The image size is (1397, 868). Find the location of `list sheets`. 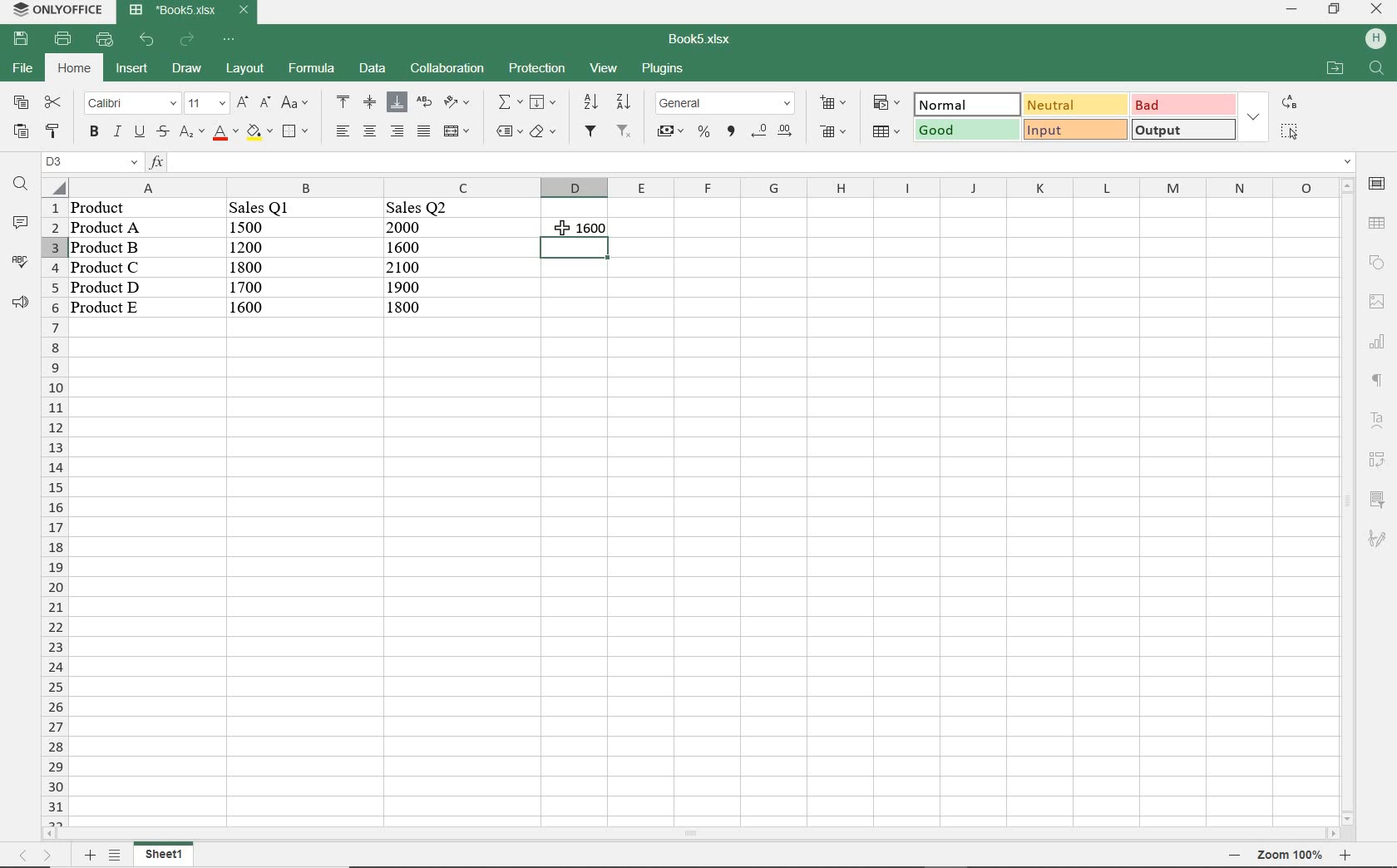

list sheets is located at coordinates (117, 856).